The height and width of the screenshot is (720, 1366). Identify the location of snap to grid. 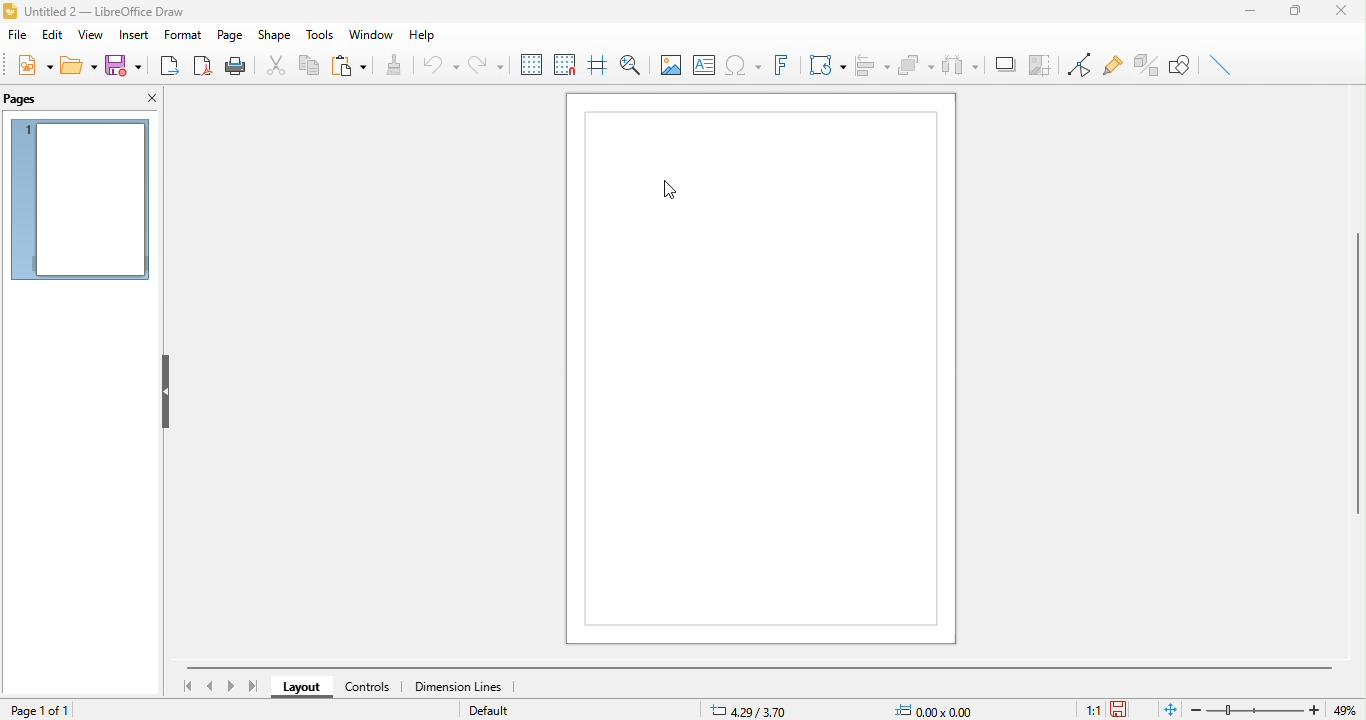
(564, 66).